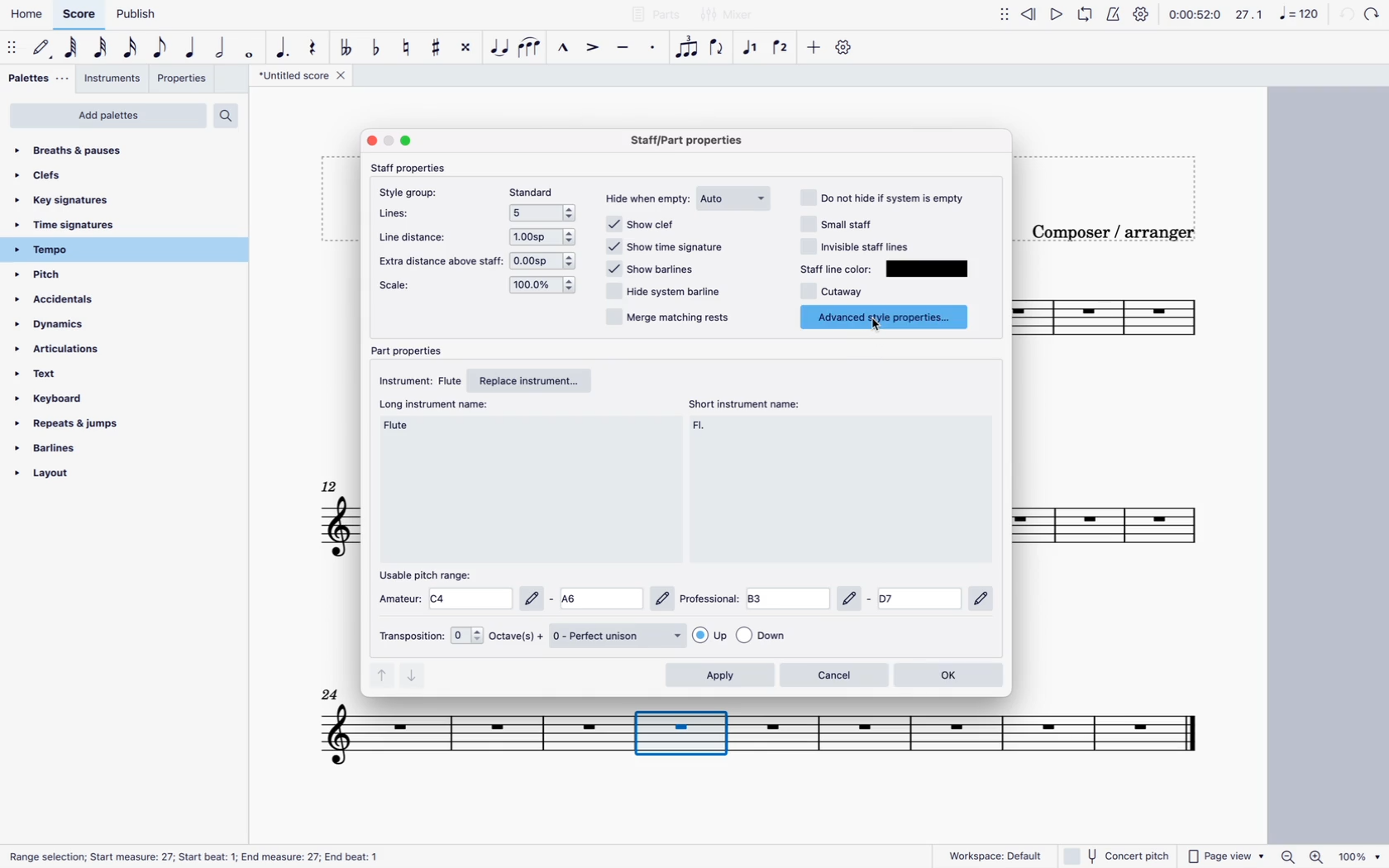 The image size is (1389, 868). Describe the element at coordinates (1086, 13) in the screenshot. I see `loop playback` at that location.